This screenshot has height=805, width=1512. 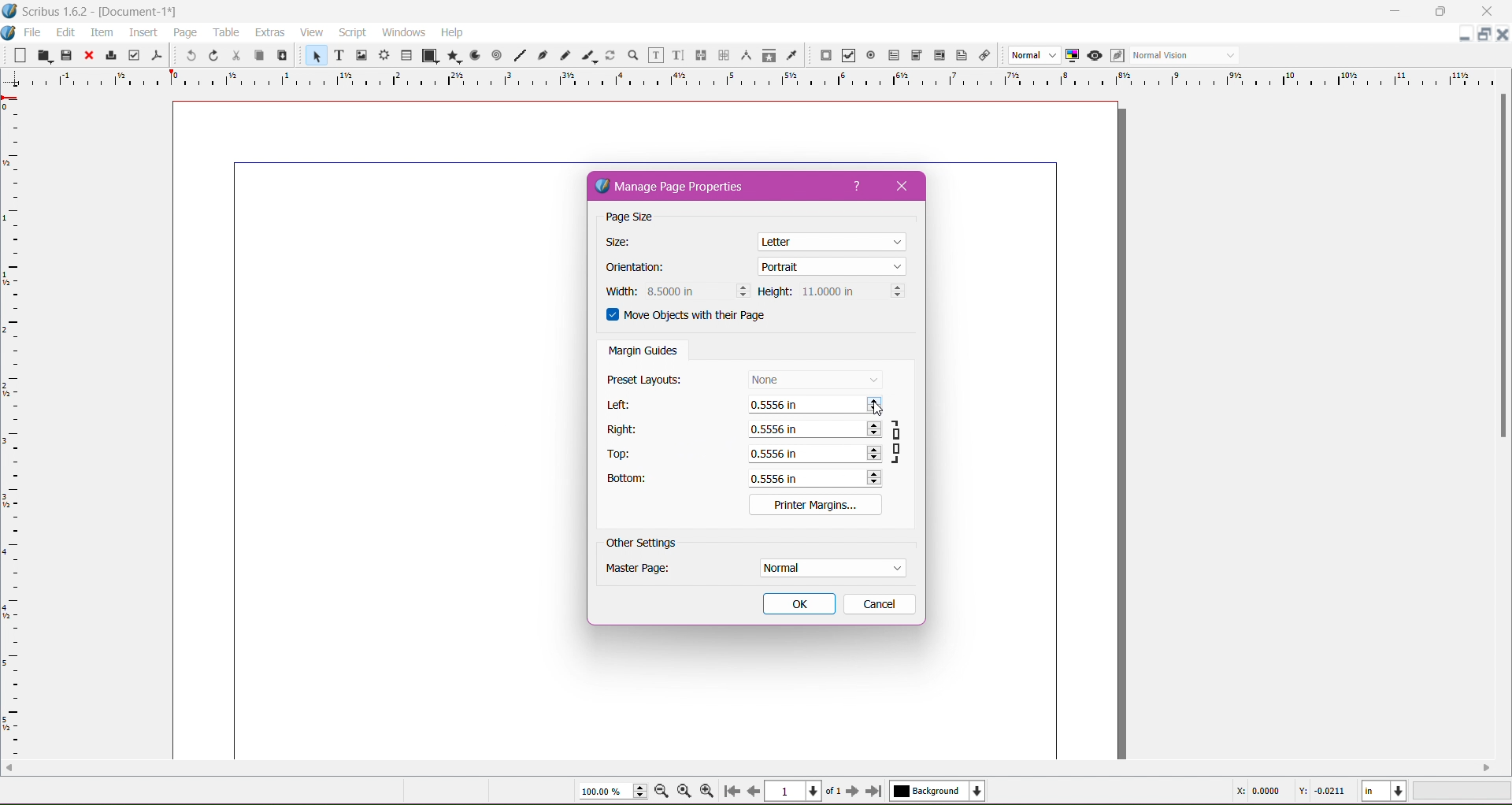 What do you see at coordinates (1117, 56) in the screenshot?
I see `Eidt in Preview mode` at bounding box center [1117, 56].